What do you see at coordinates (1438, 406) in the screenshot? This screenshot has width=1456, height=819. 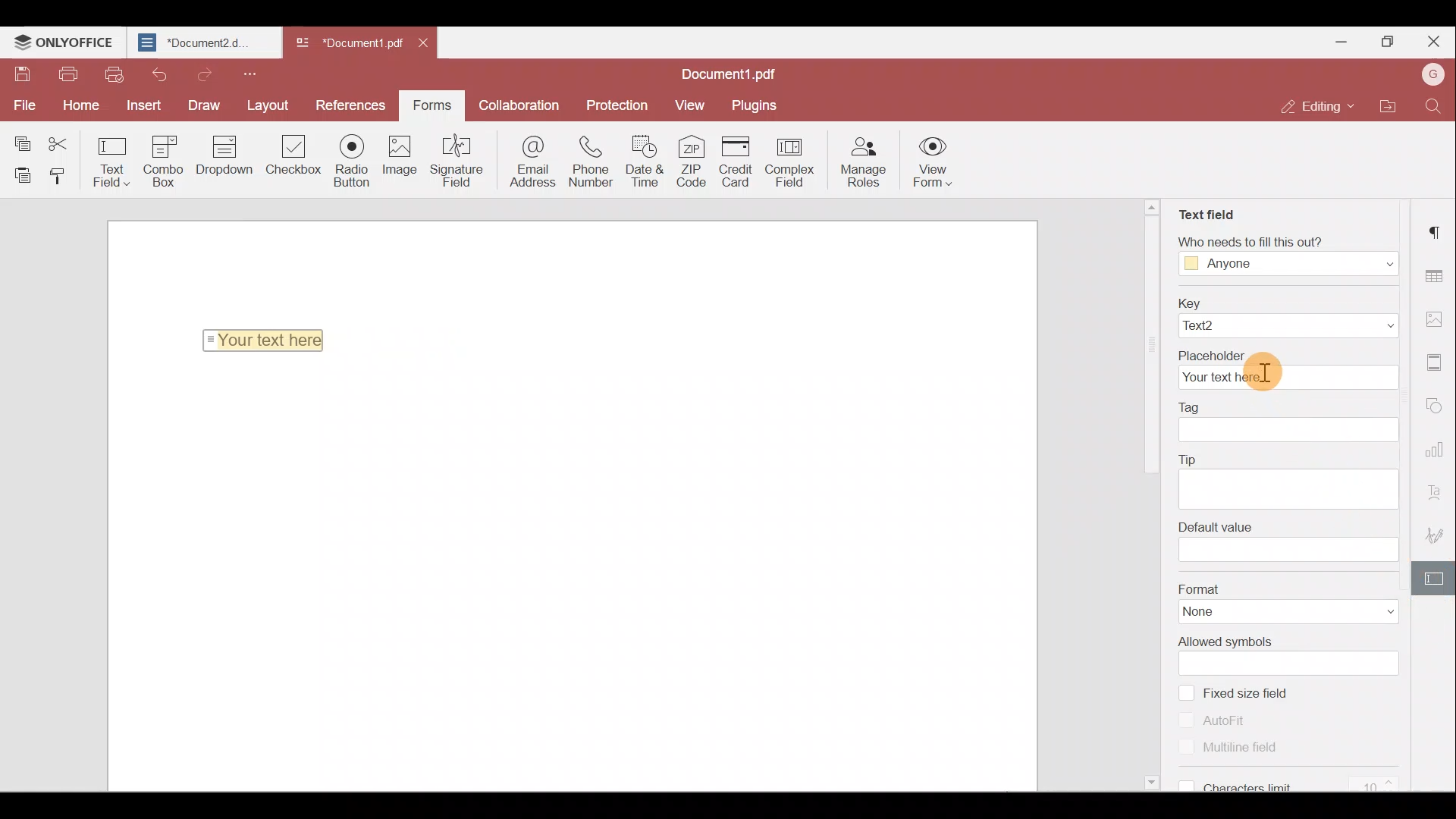 I see `Shapes settings` at bounding box center [1438, 406].